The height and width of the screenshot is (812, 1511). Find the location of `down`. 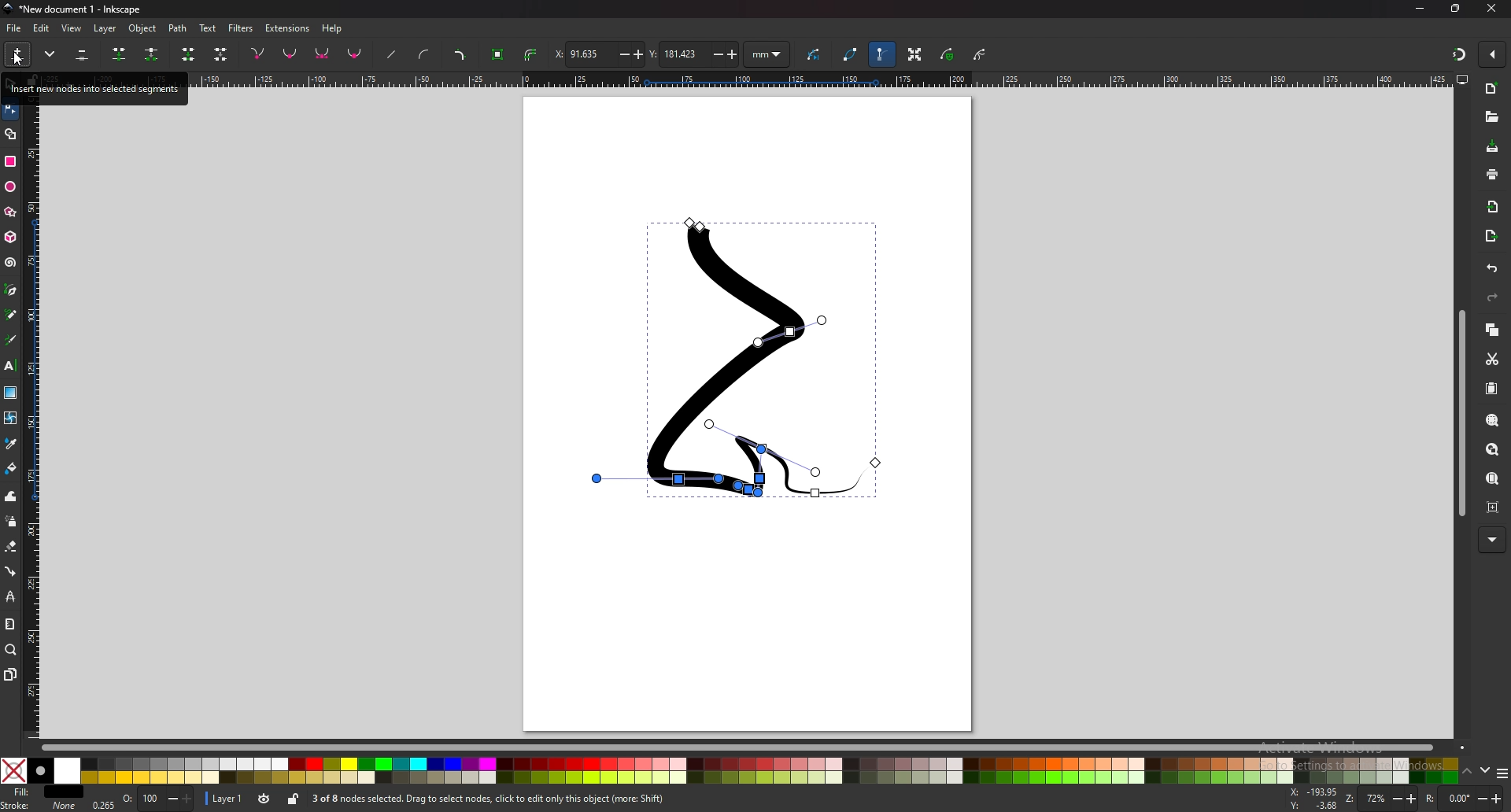

down is located at coordinates (1483, 772).